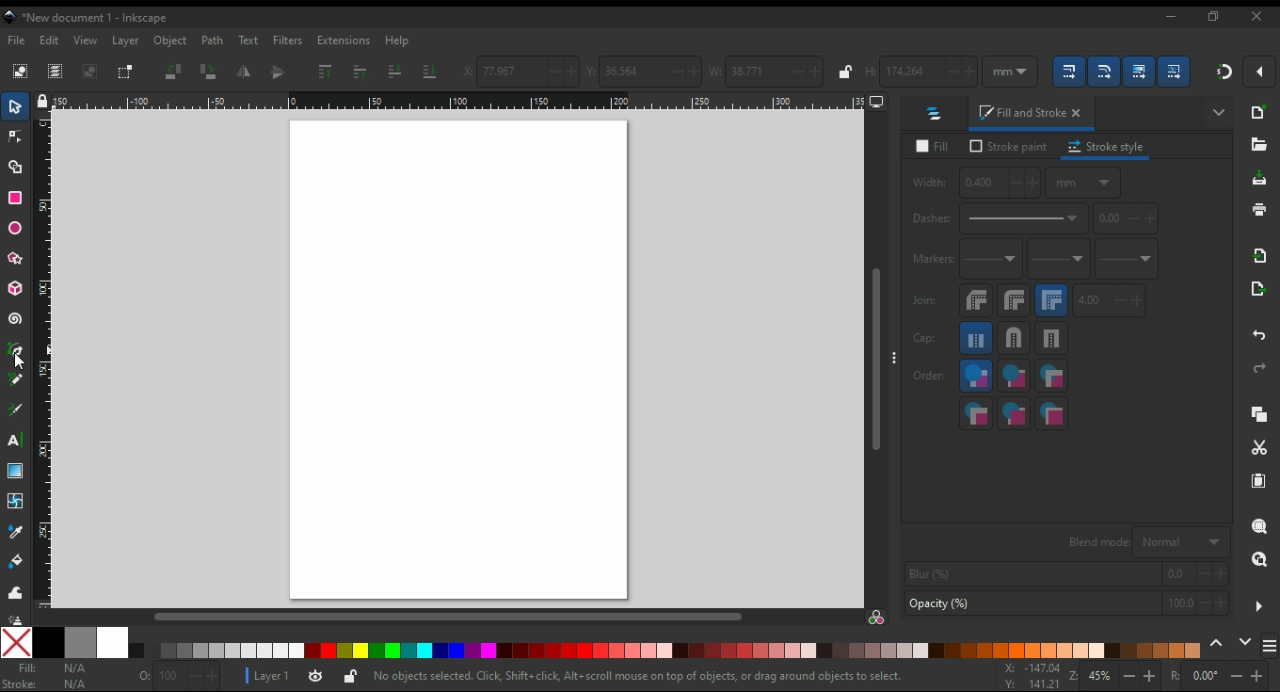 Image resolution: width=1280 pixels, height=692 pixels. What do you see at coordinates (16, 197) in the screenshot?
I see `rectangle tool` at bounding box center [16, 197].